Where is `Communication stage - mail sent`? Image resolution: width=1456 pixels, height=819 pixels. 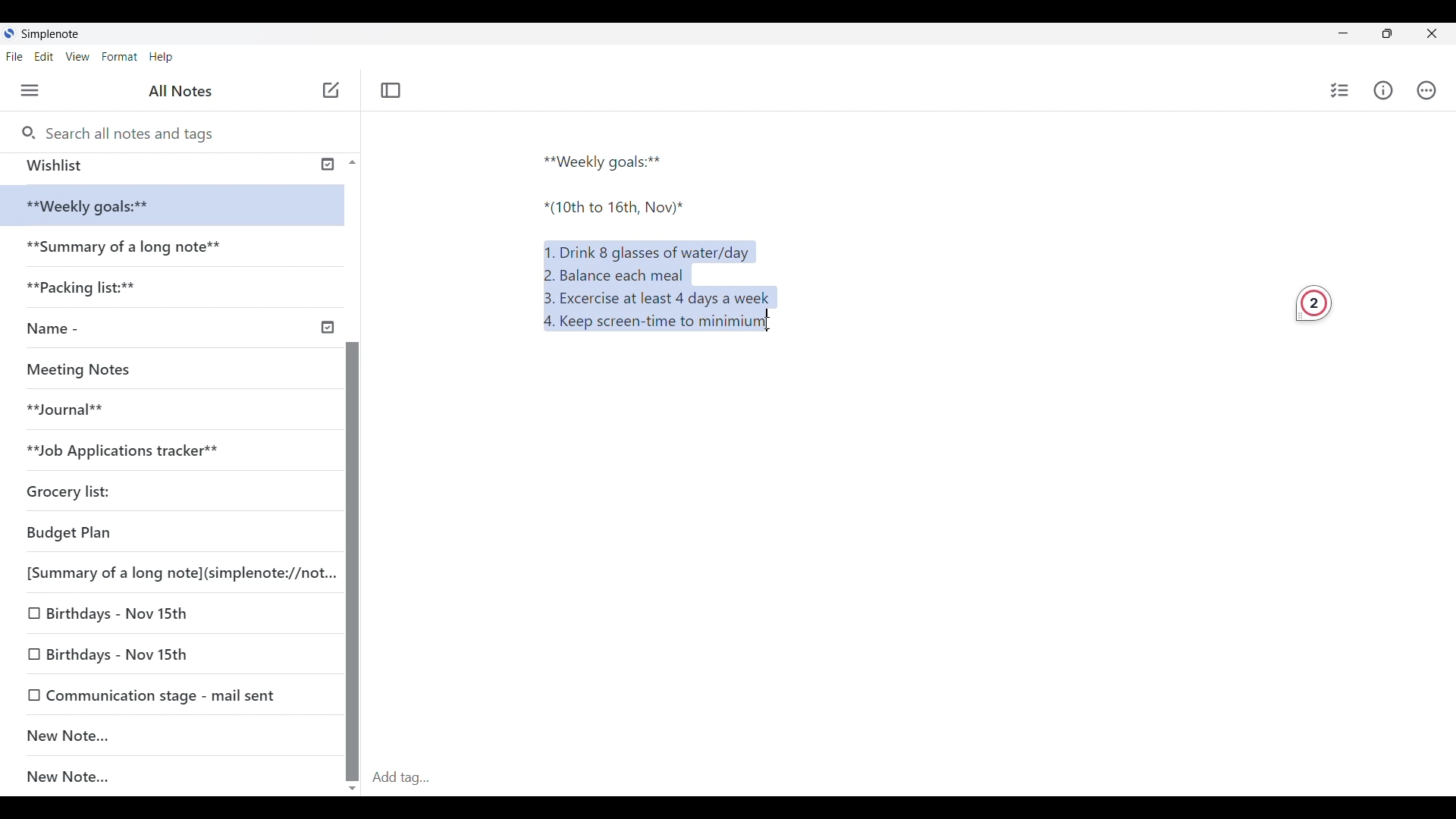 Communication stage - mail sent is located at coordinates (172, 695).